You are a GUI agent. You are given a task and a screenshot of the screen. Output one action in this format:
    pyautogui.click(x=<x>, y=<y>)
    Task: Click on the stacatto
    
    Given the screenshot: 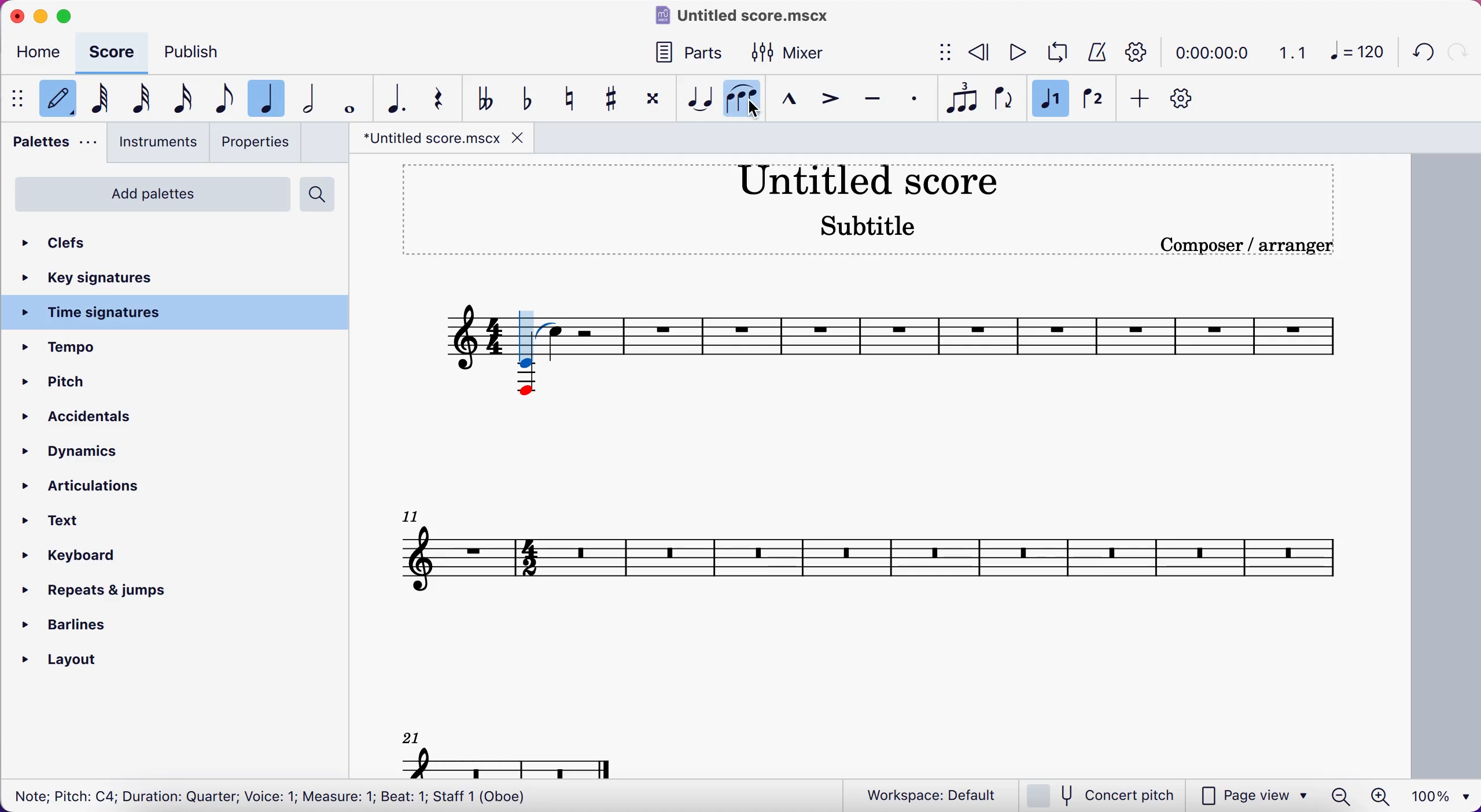 What is the action you would take?
    pyautogui.click(x=915, y=99)
    